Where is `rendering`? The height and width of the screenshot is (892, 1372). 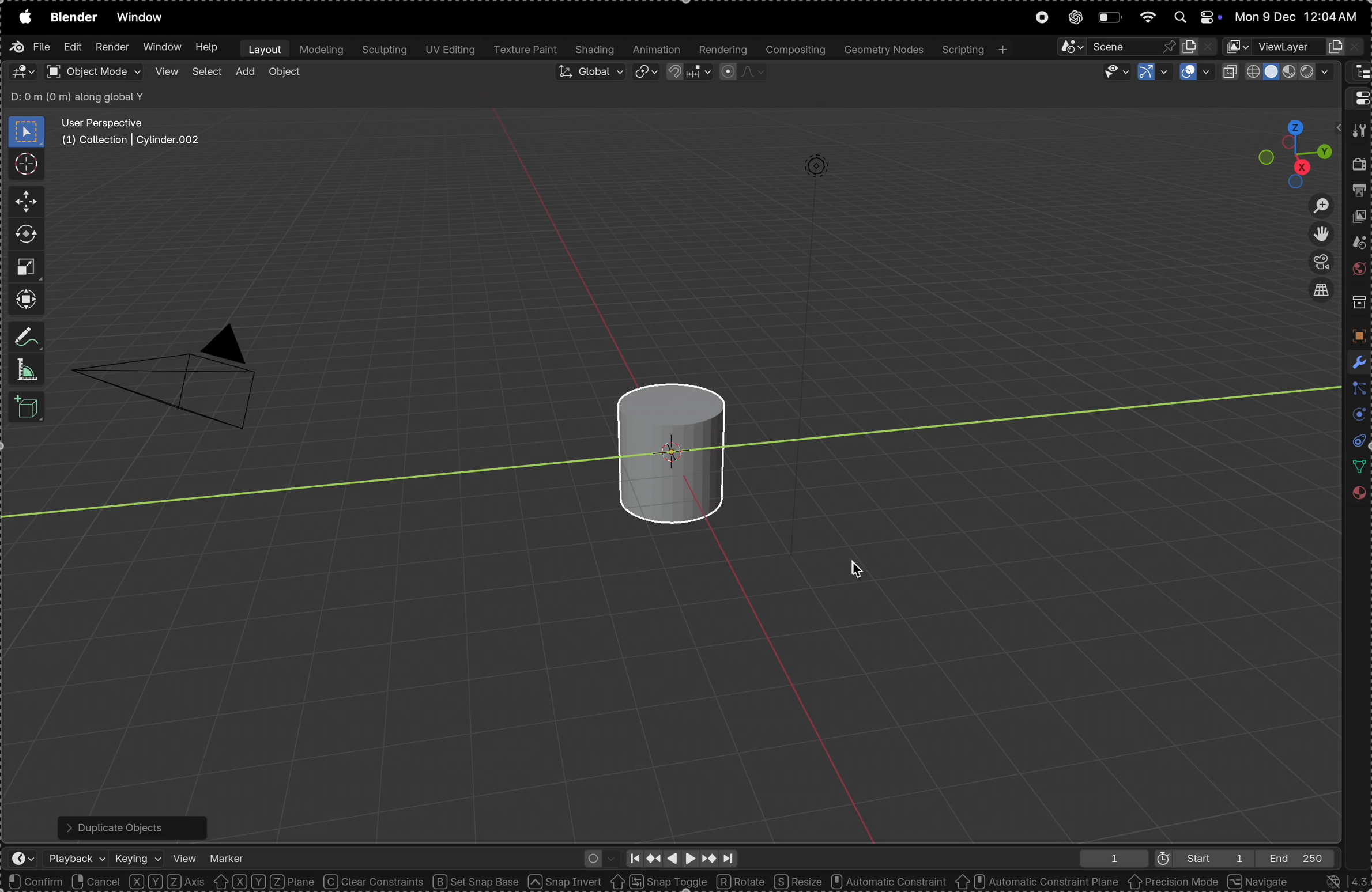
rendering is located at coordinates (721, 50).